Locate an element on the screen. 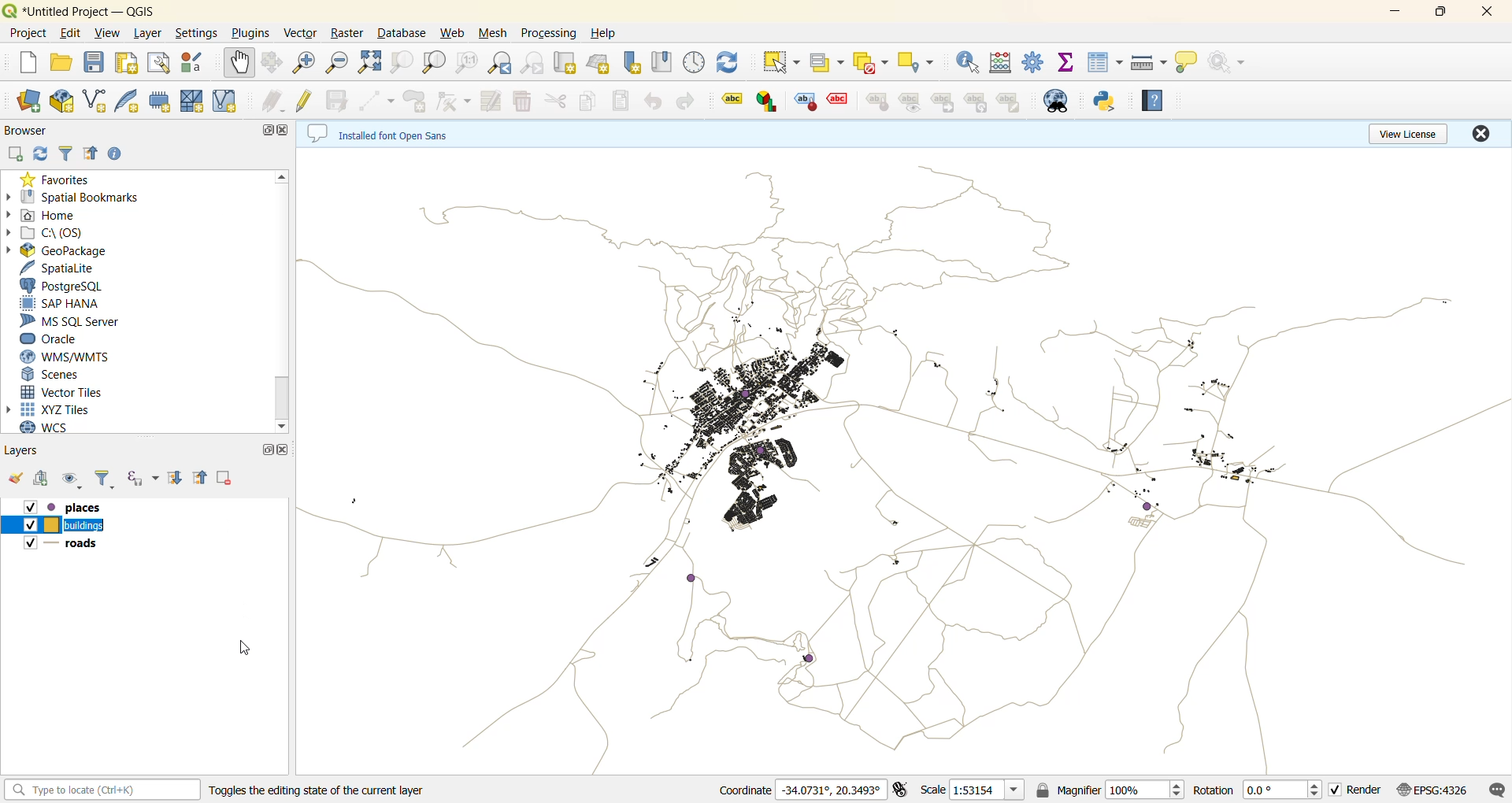 The image size is (1512, 803). vector is located at coordinates (302, 34).